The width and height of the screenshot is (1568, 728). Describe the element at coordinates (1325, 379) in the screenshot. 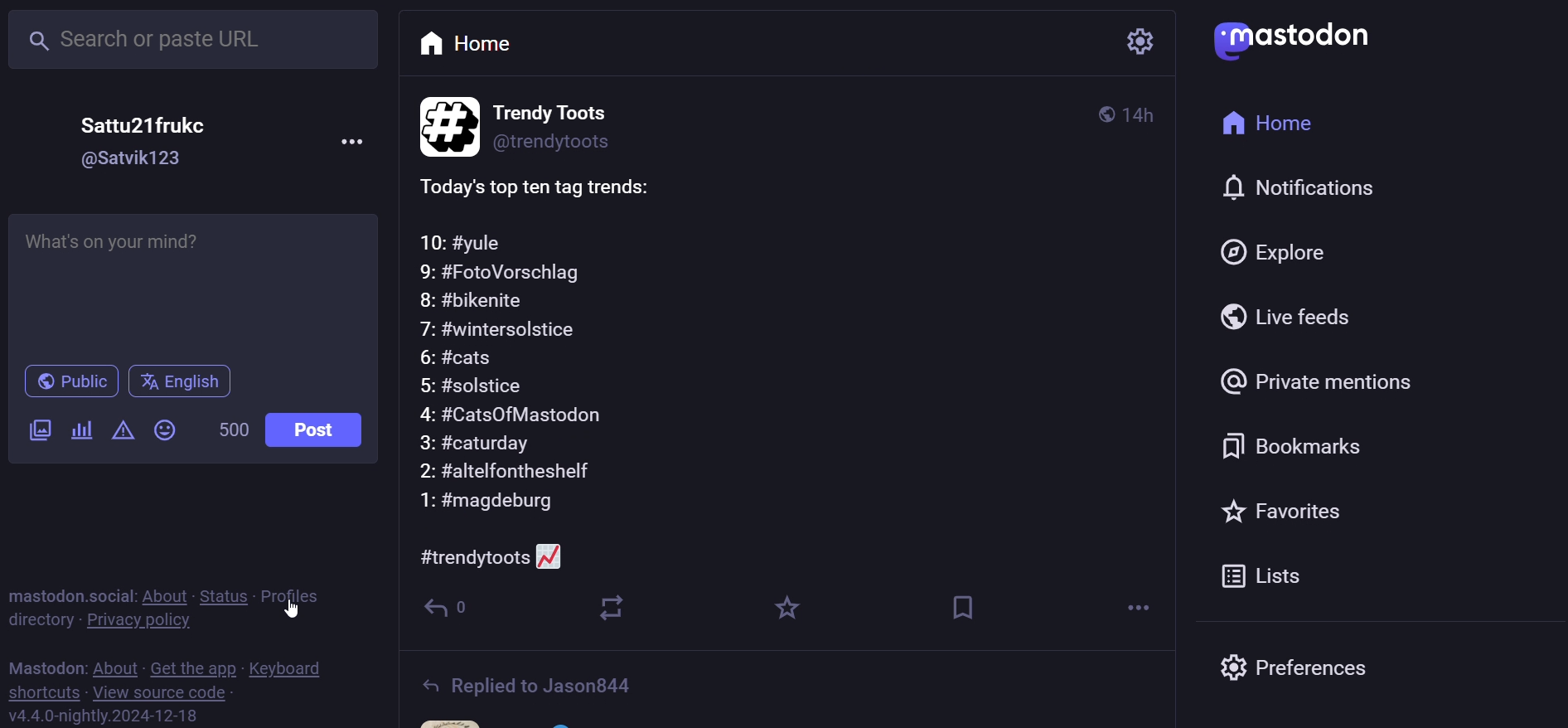

I see `private mention` at that location.